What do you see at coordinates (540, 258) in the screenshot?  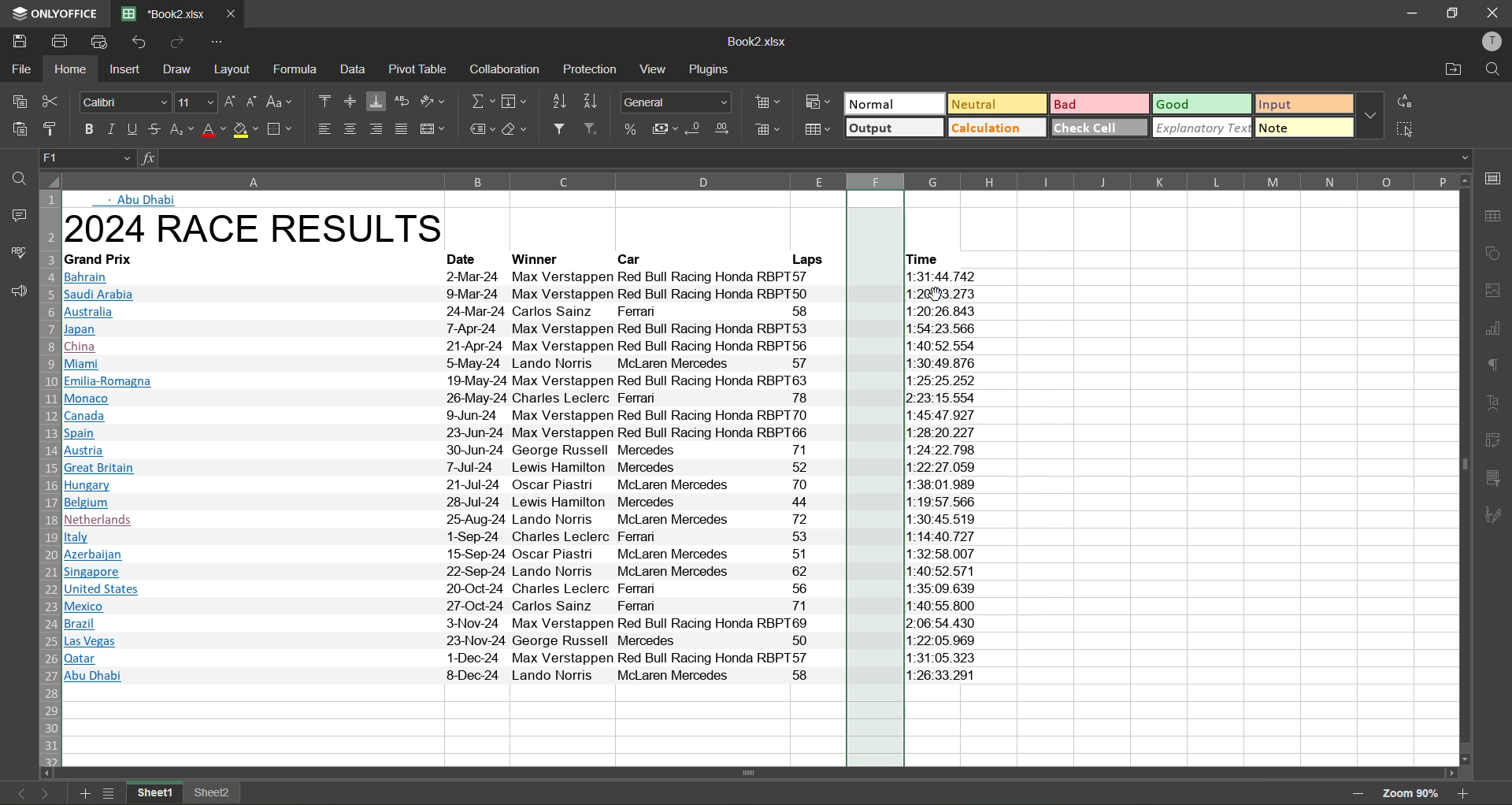 I see `Winner` at bounding box center [540, 258].